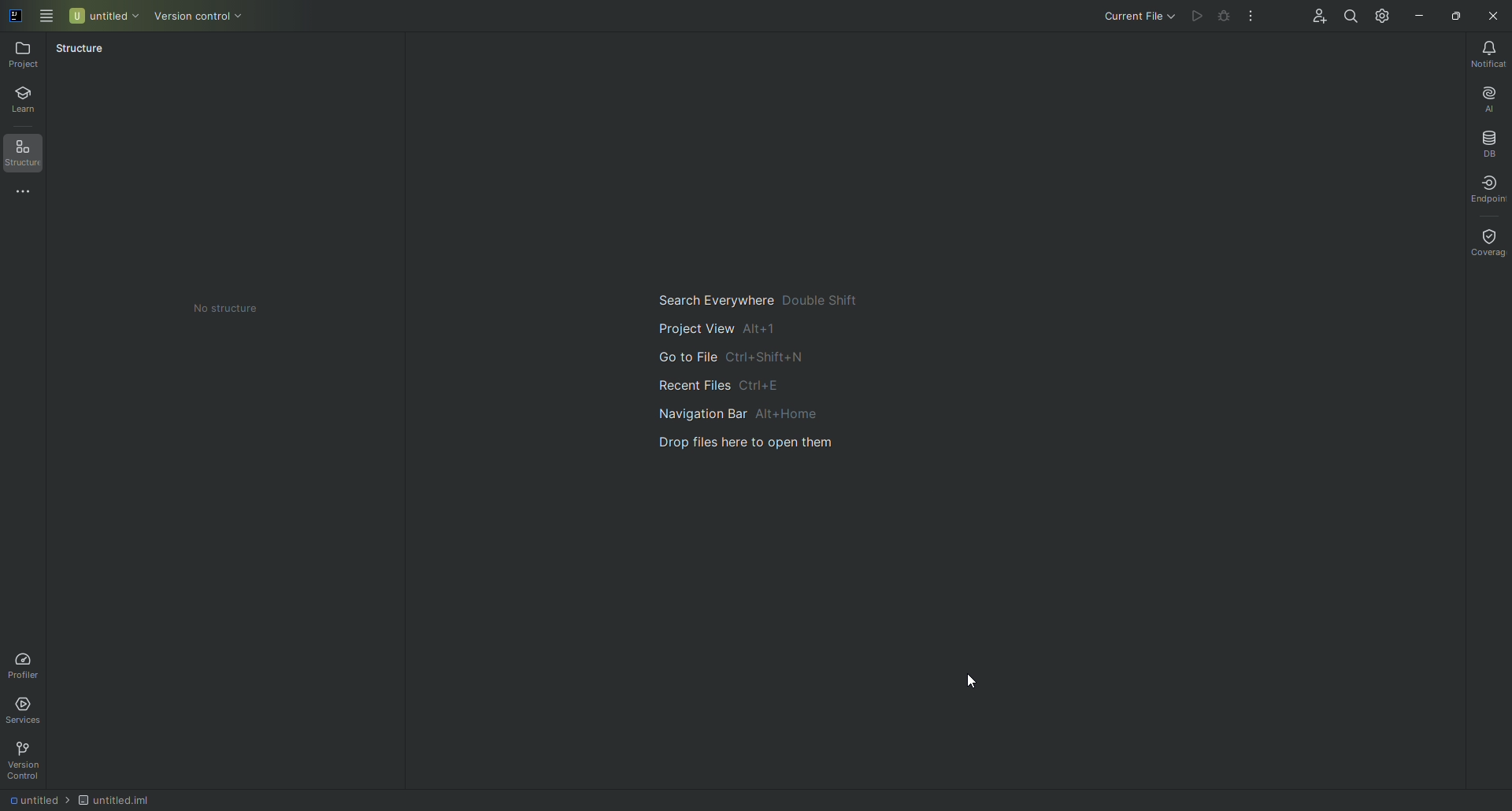 This screenshot has height=811, width=1512. What do you see at coordinates (50, 15) in the screenshot?
I see `Main Menu` at bounding box center [50, 15].